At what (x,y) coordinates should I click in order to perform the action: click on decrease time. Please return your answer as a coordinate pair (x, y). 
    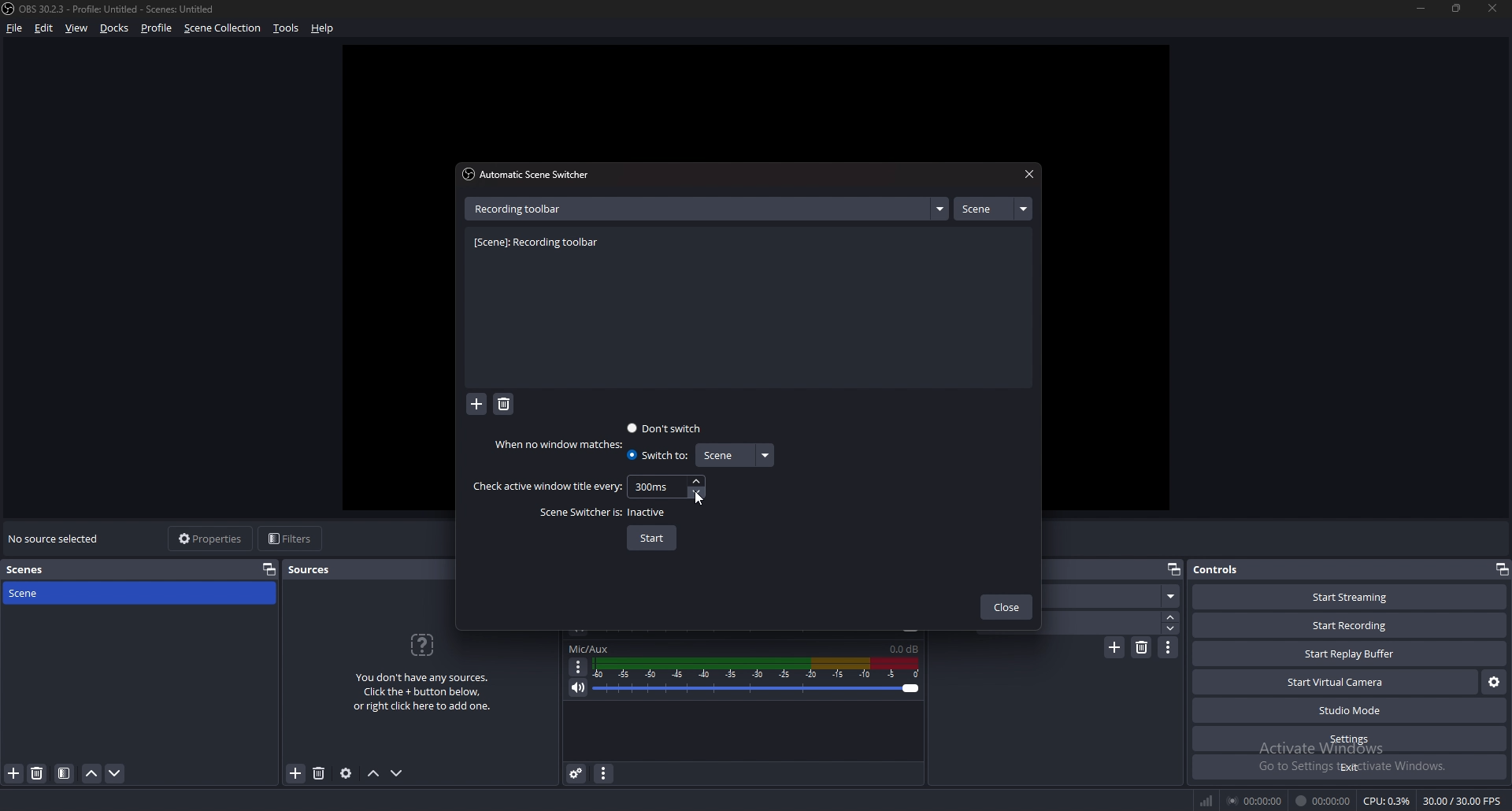
    Looking at the image, I should click on (699, 491).